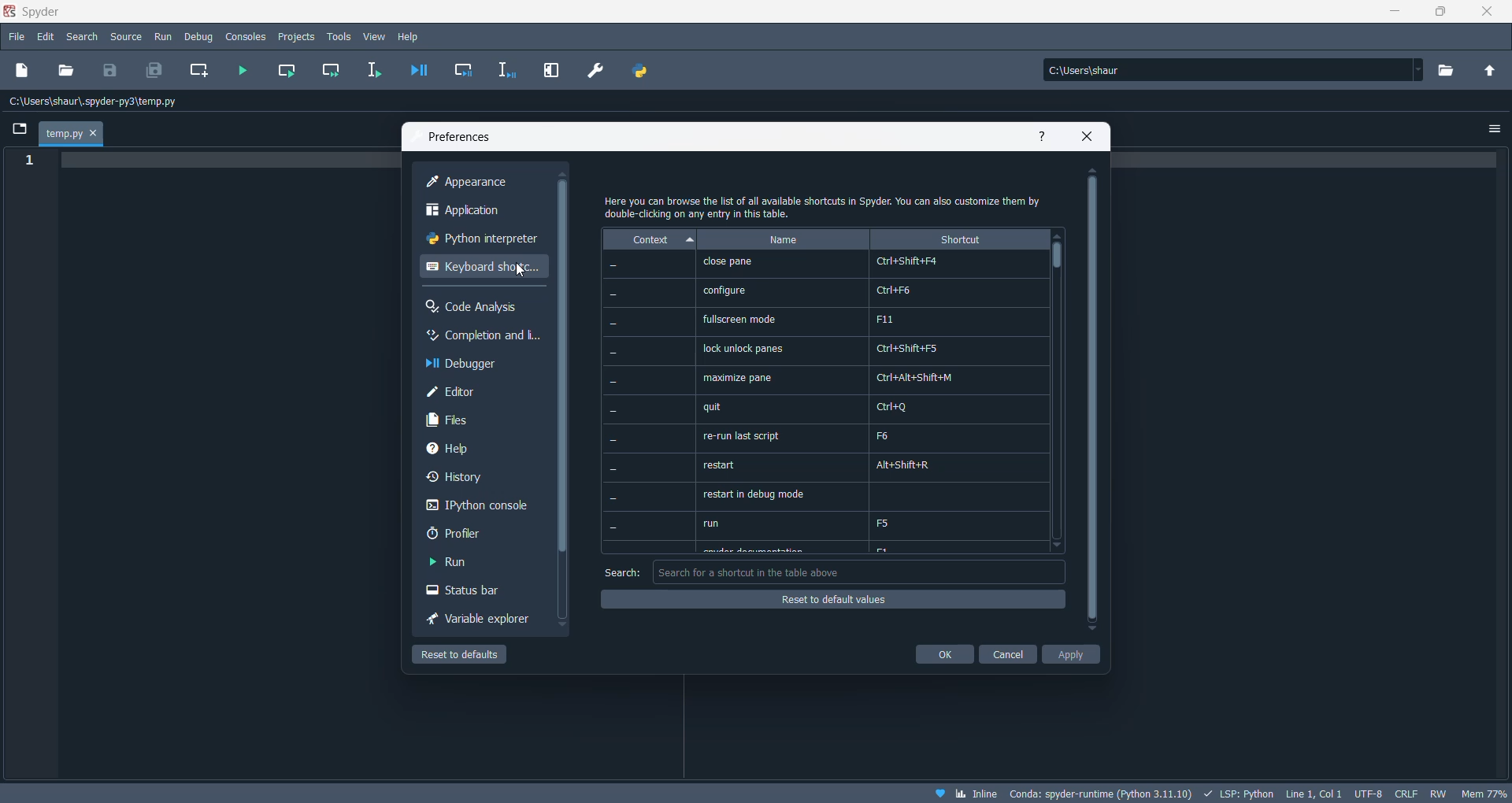  I want to click on new file, so click(23, 72).